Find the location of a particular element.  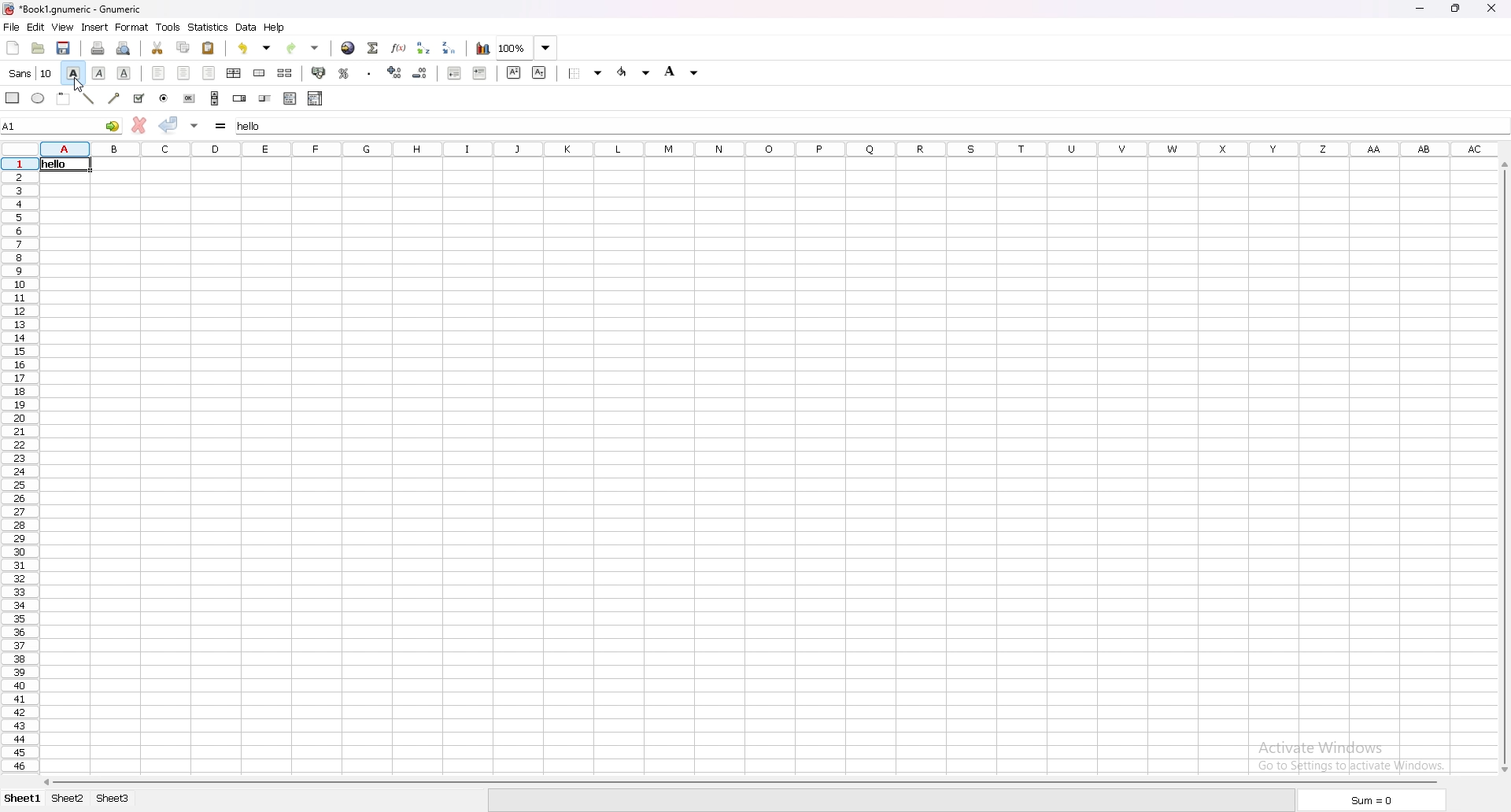

line is located at coordinates (89, 98).